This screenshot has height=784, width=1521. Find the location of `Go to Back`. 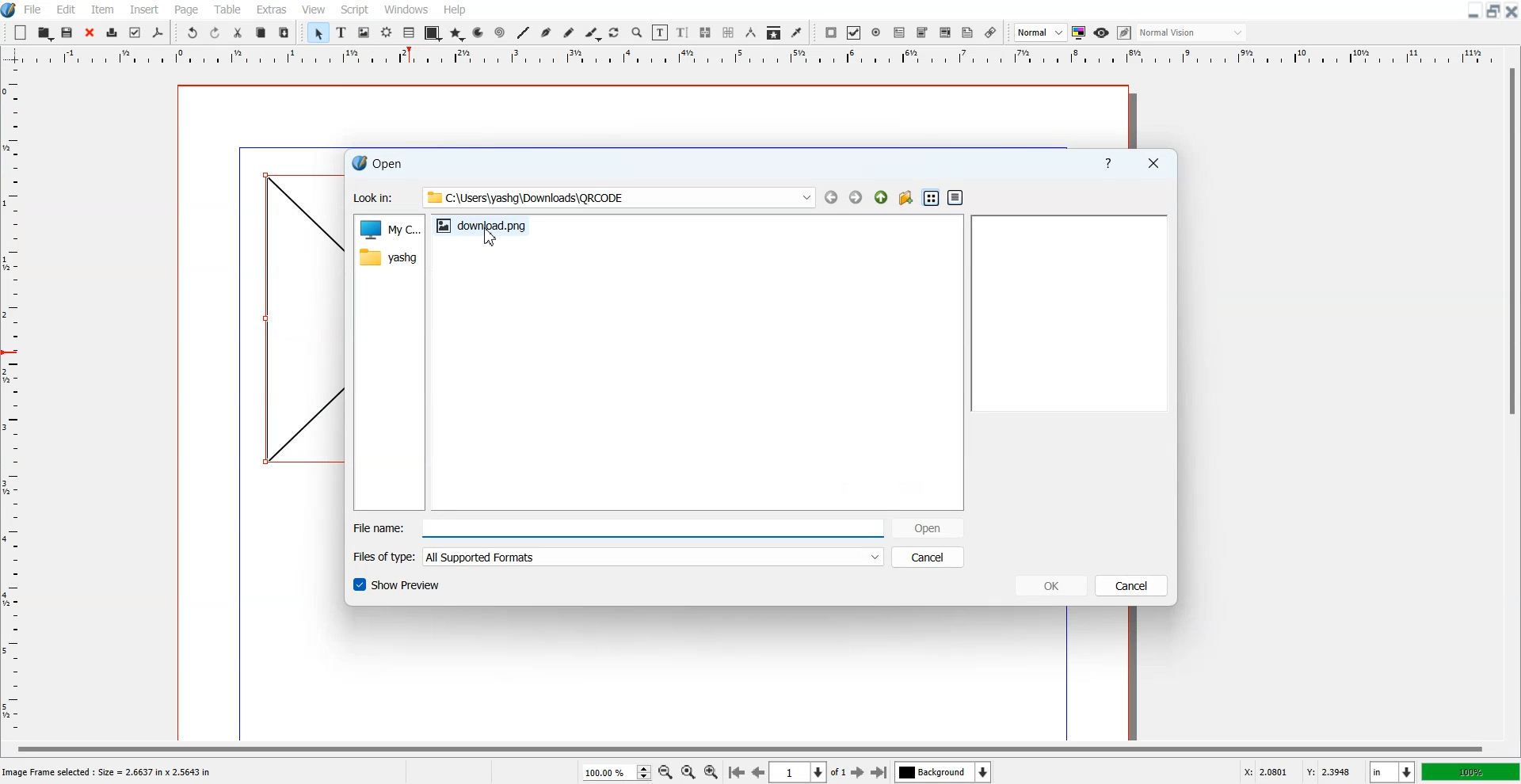

Go to Back is located at coordinates (832, 196).